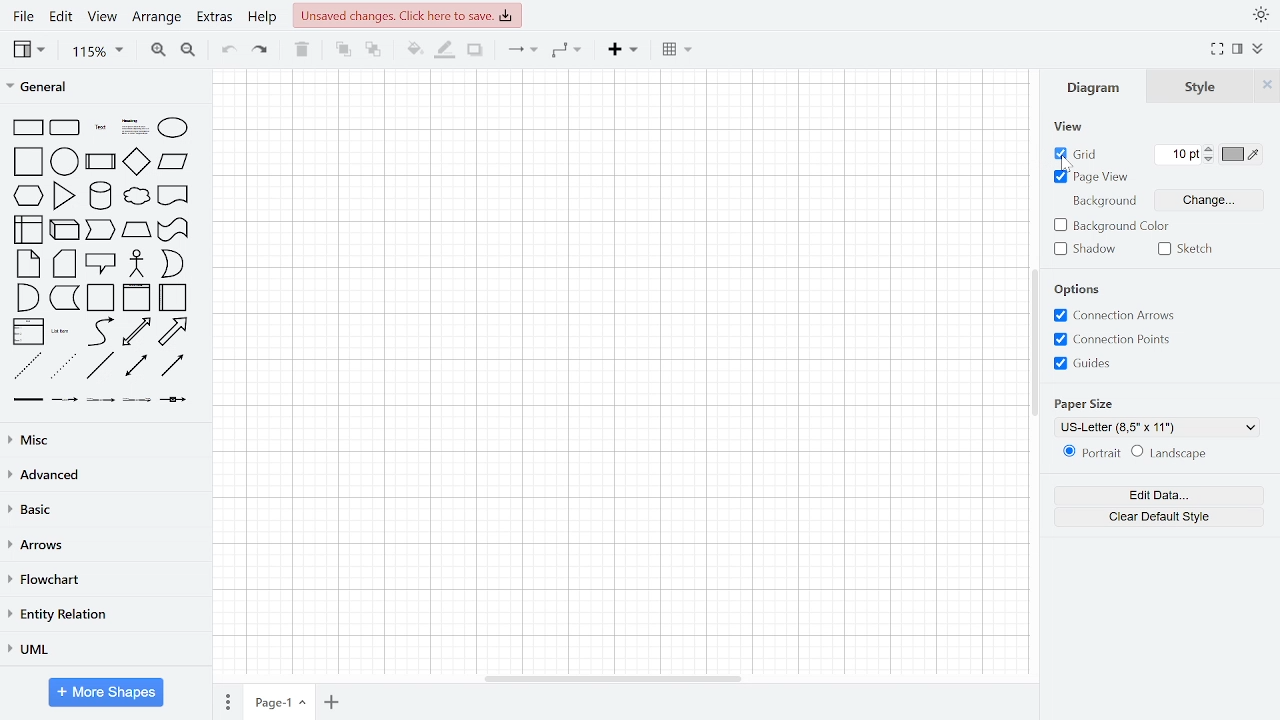 The image size is (1280, 720). Describe the element at coordinates (102, 616) in the screenshot. I see `entity relation` at that location.